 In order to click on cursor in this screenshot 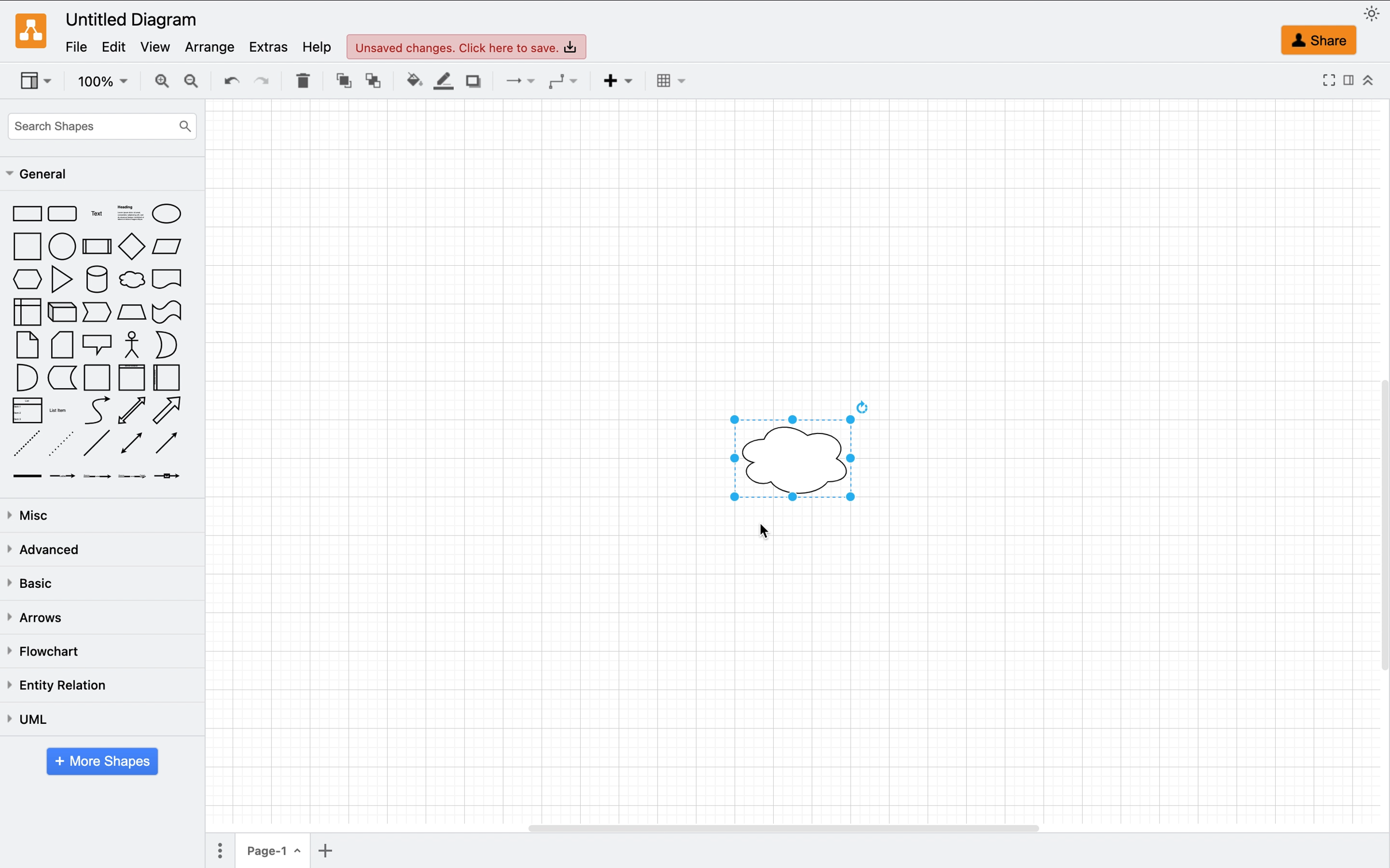, I will do `click(770, 532)`.